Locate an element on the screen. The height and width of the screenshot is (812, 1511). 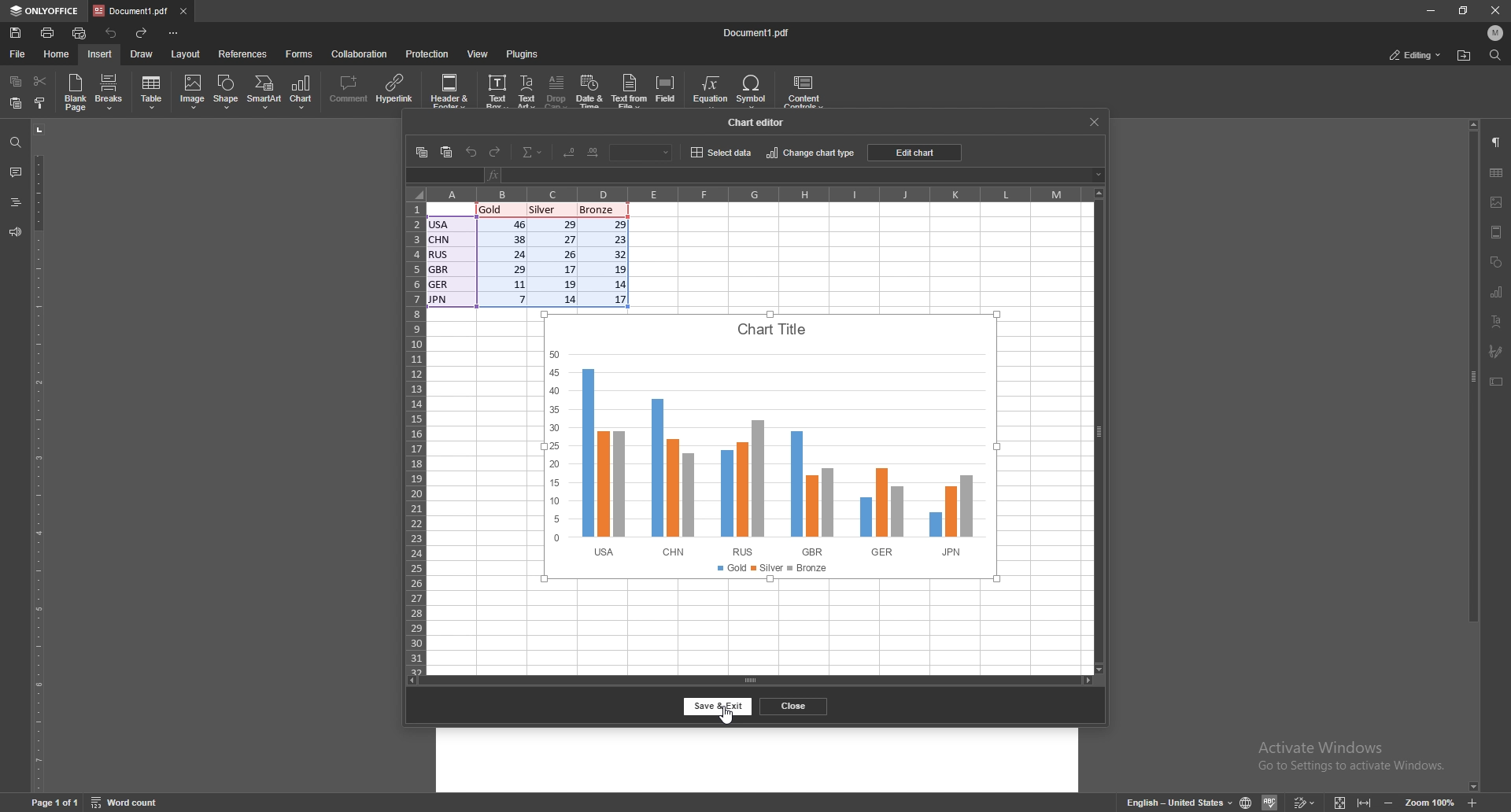
redo is located at coordinates (142, 33).